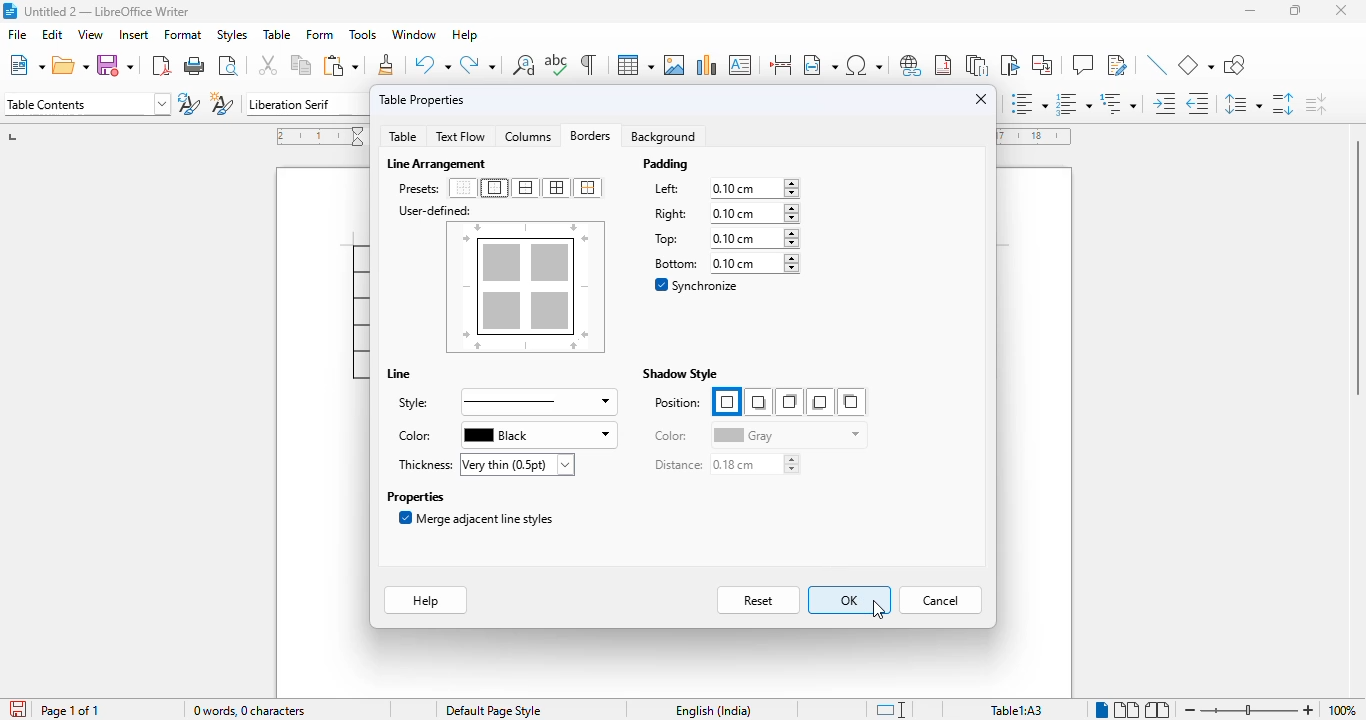 The width and height of the screenshot is (1366, 720). What do you see at coordinates (90, 35) in the screenshot?
I see `view` at bounding box center [90, 35].